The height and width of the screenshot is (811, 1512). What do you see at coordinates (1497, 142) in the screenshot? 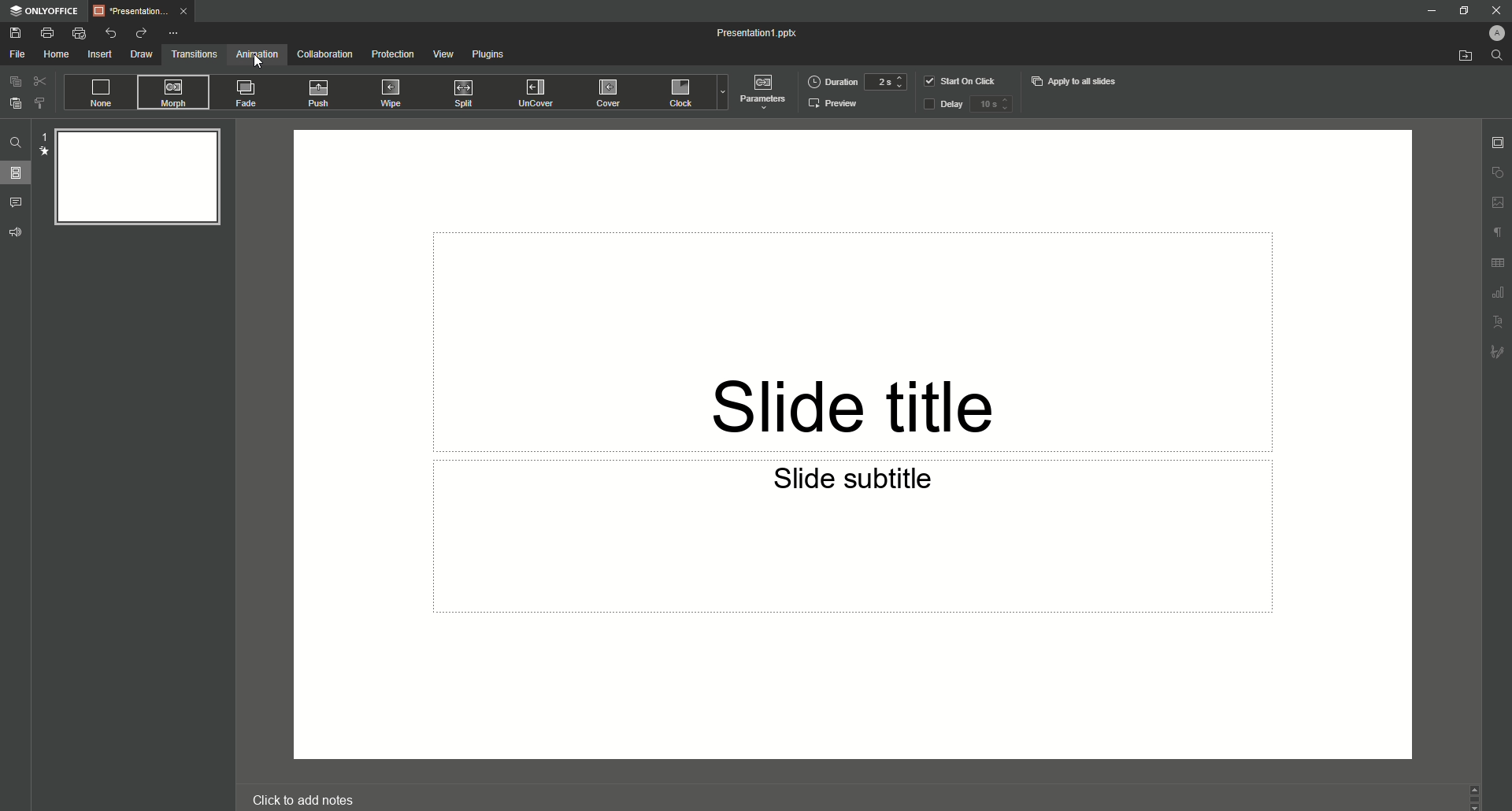
I see `Slide settings` at bounding box center [1497, 142].